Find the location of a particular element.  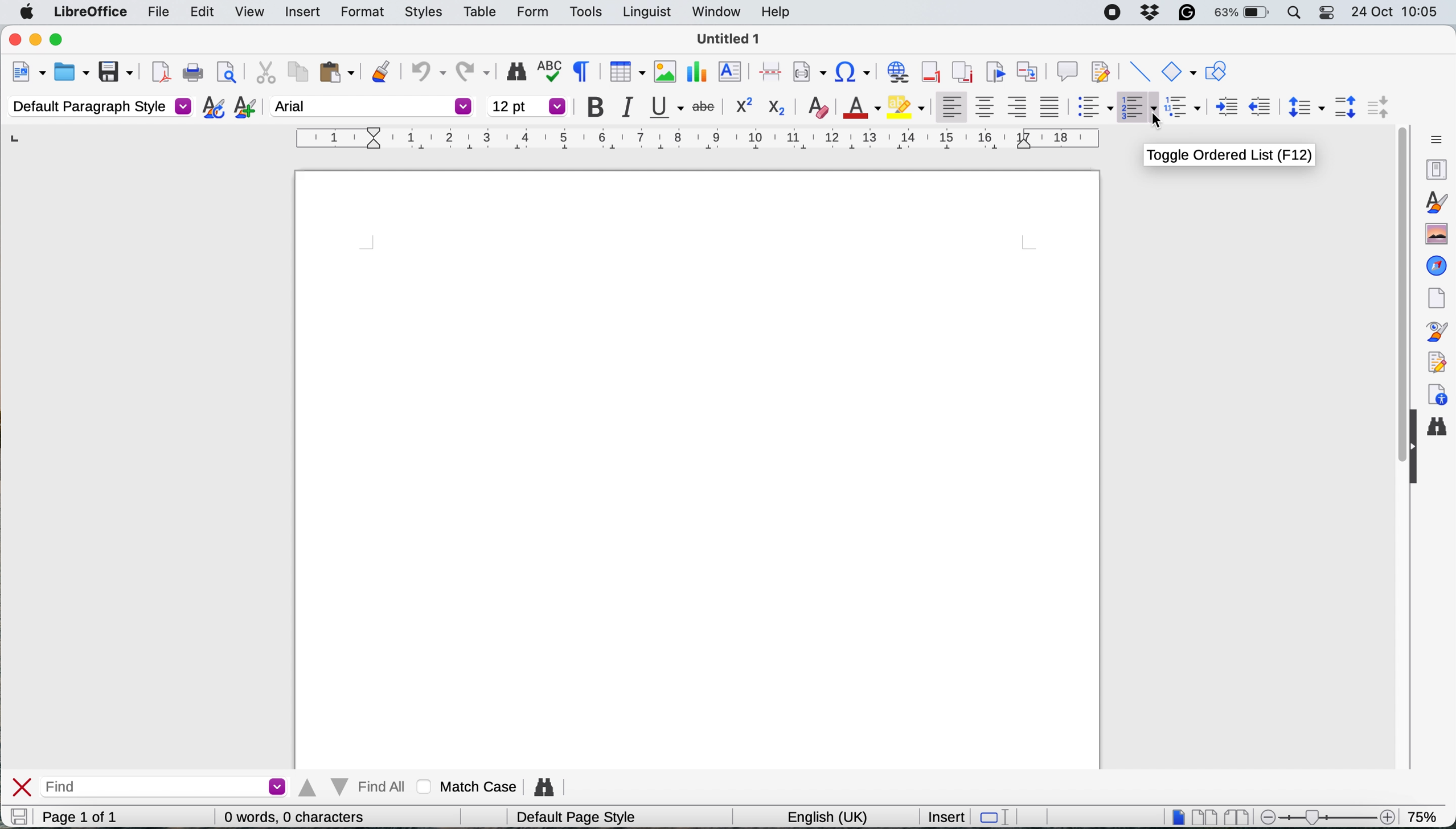

match case is located at coordinates (470, 786).